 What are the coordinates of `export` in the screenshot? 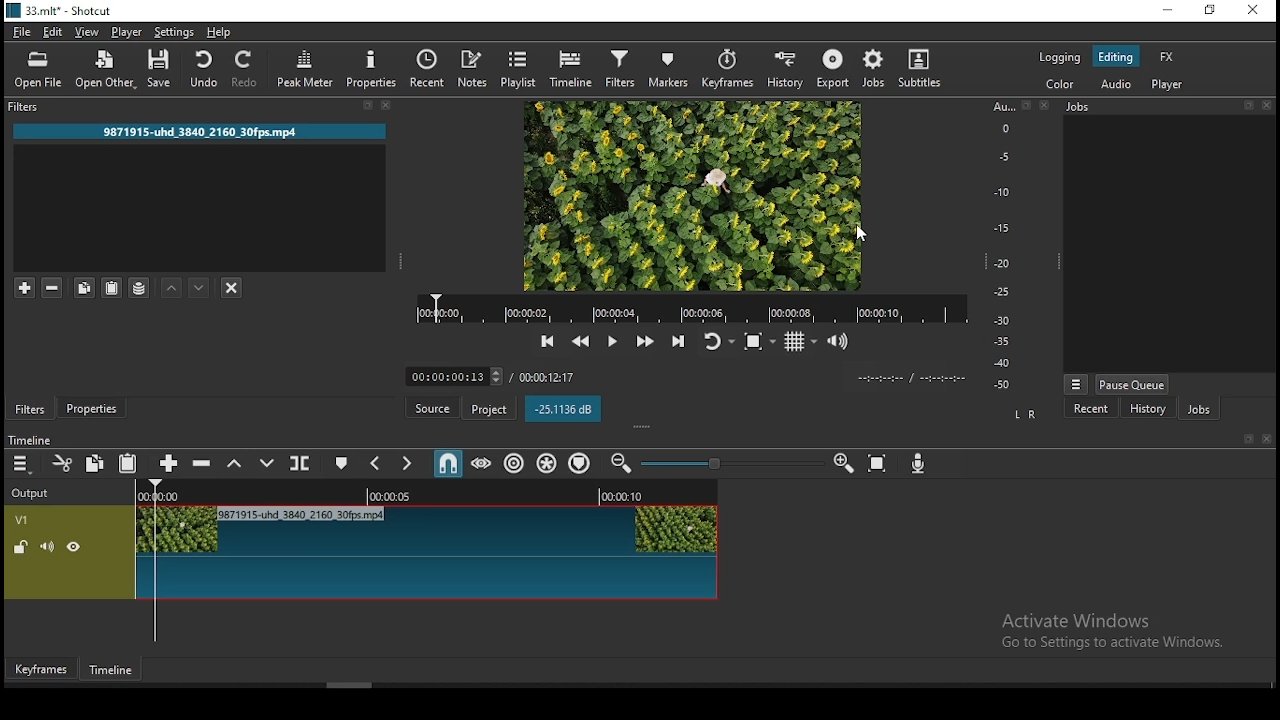 It's located at (832, 71).